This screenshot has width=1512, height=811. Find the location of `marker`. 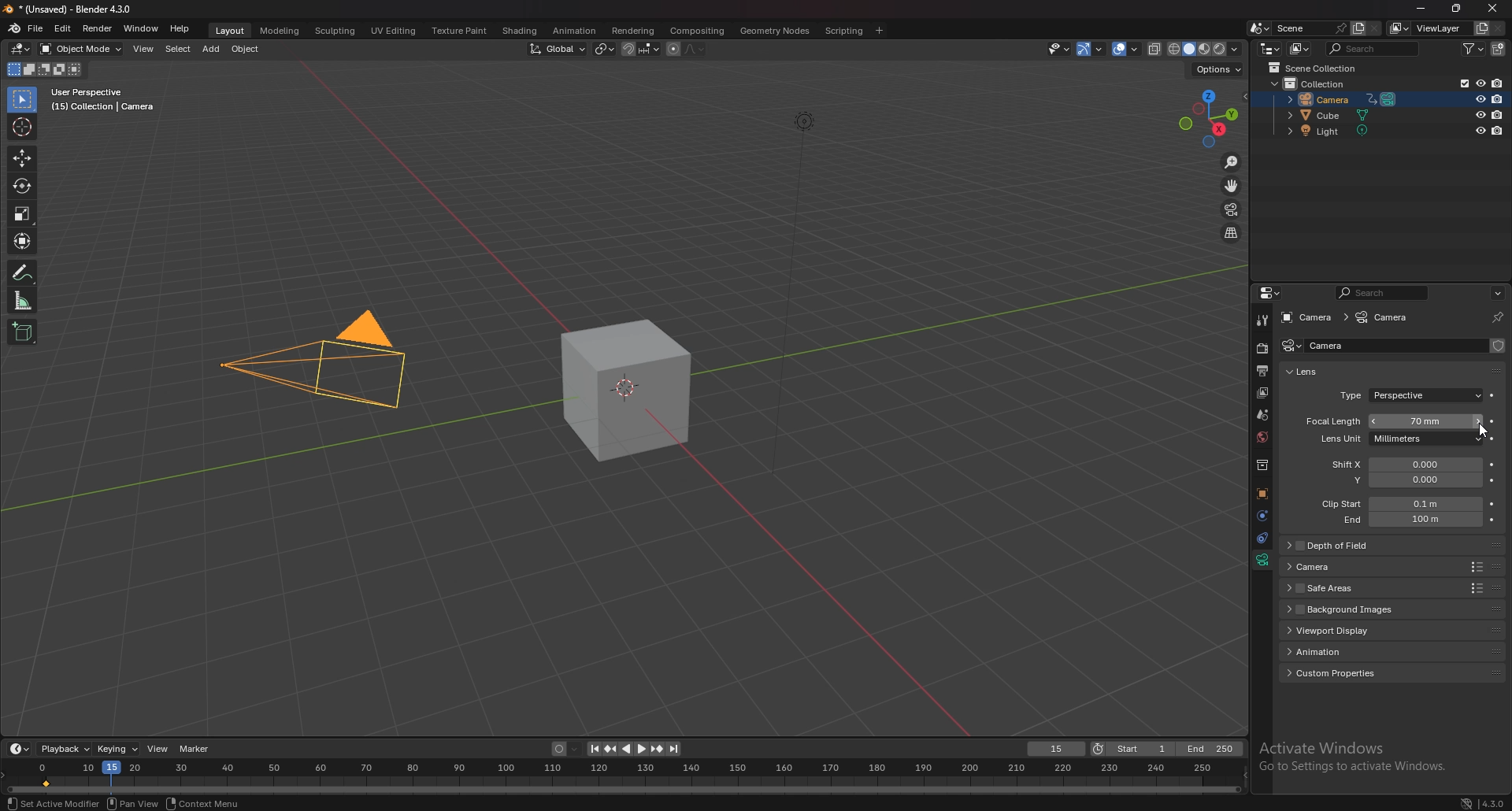

marker is located at coordinates (196, 749).